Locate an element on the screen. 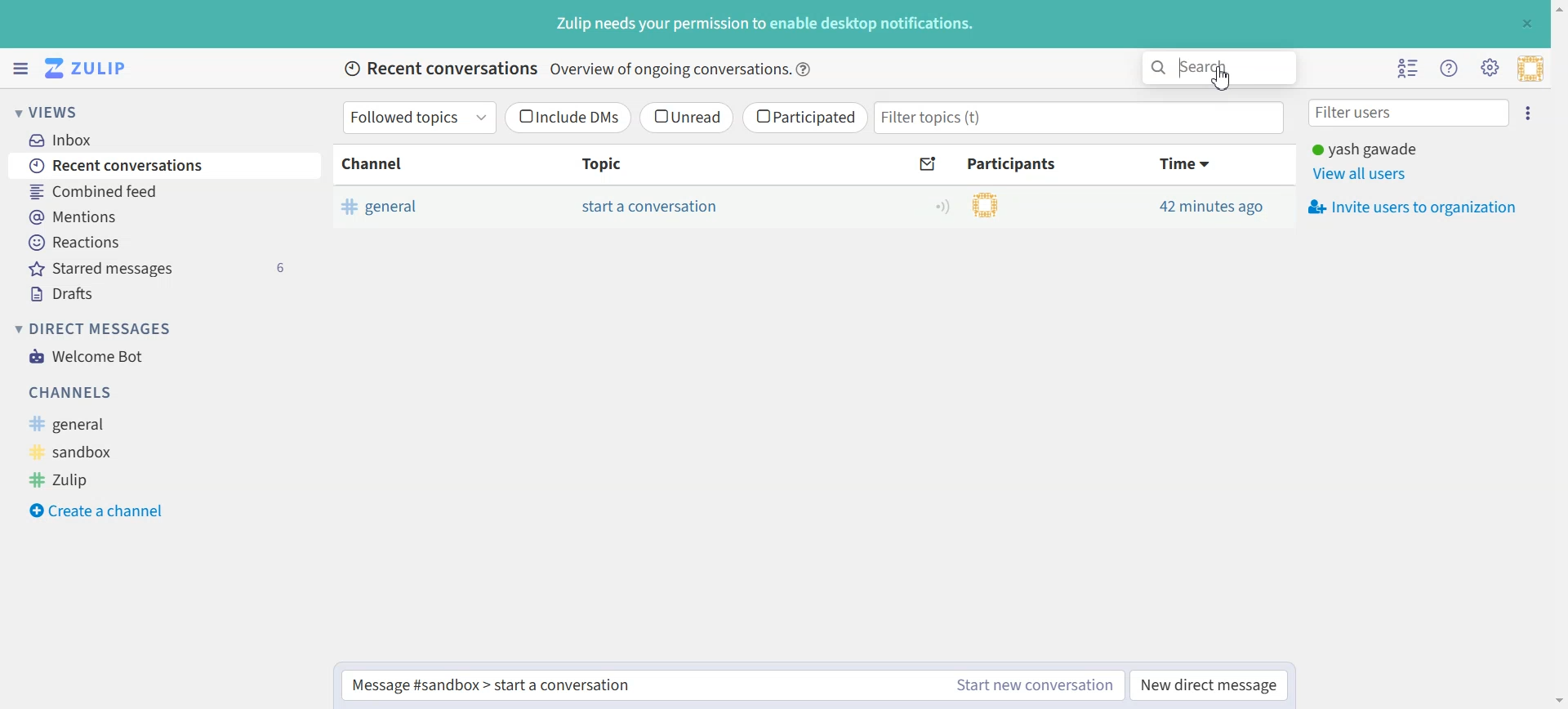 This screenshot has height=709, width=1568. general is located at coordinates (102, 423).